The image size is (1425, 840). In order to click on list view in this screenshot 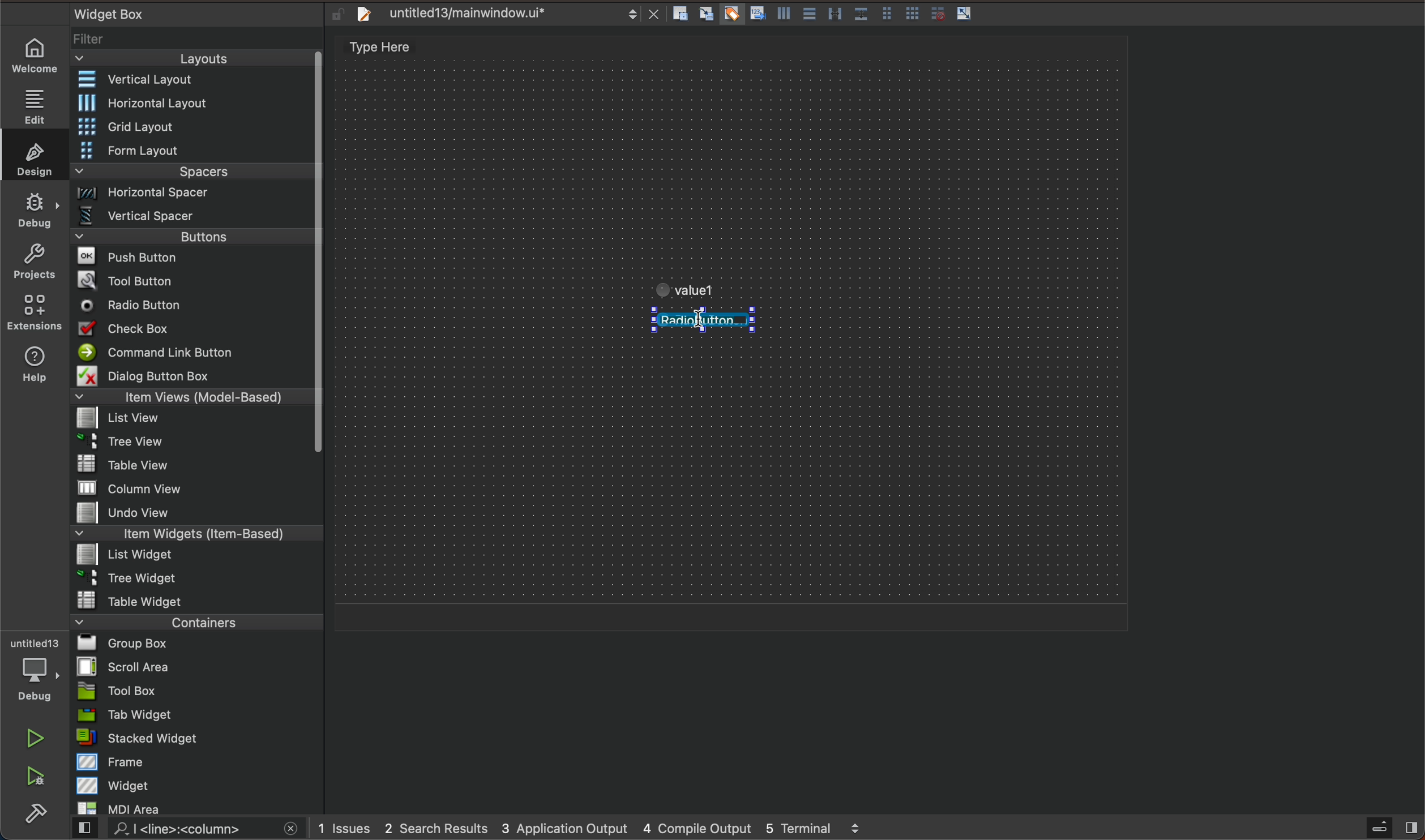, I will do `click(190, 422)`.